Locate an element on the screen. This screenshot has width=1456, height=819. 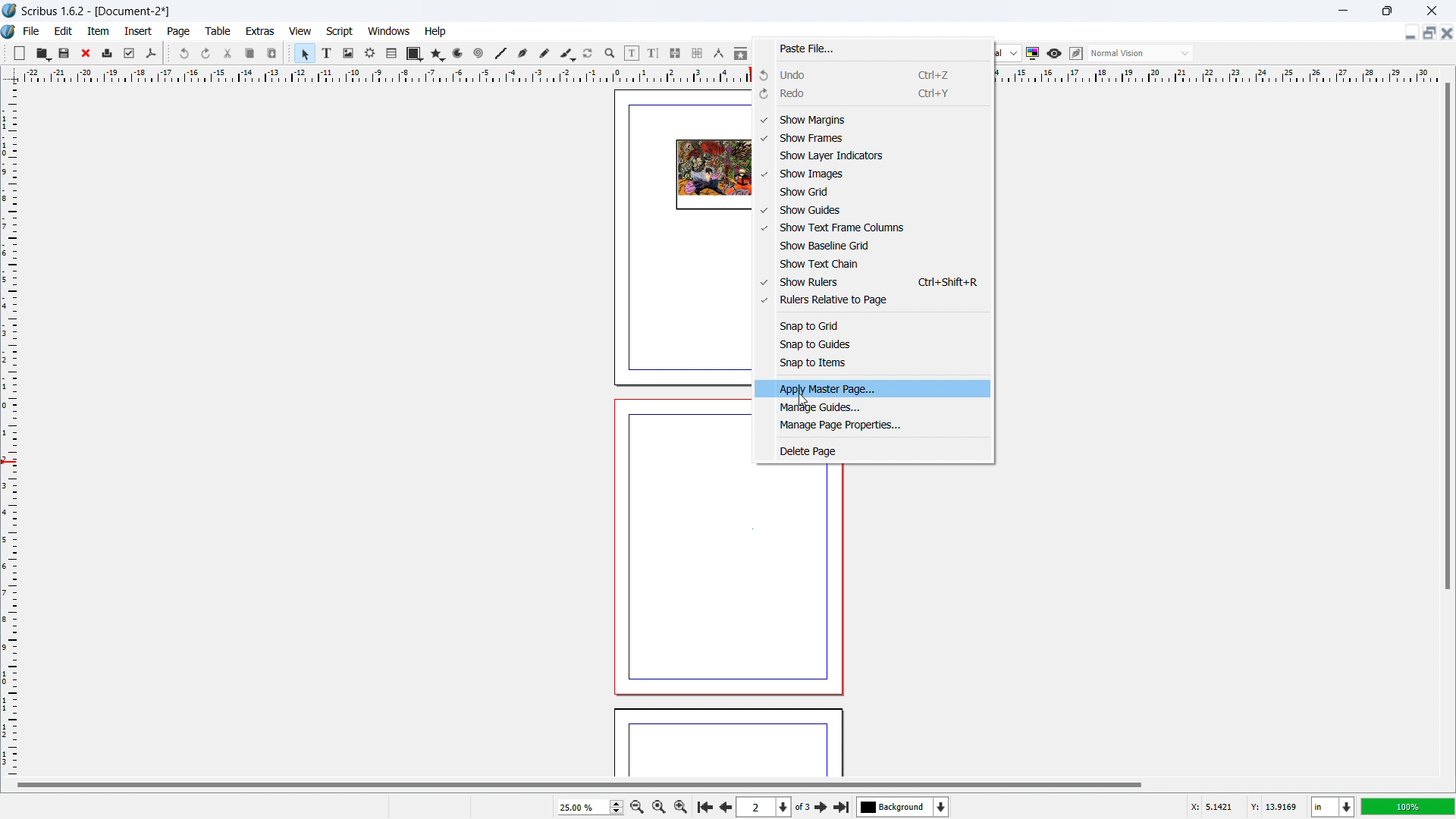
unlink text frames is located at coordinates (697, 54).